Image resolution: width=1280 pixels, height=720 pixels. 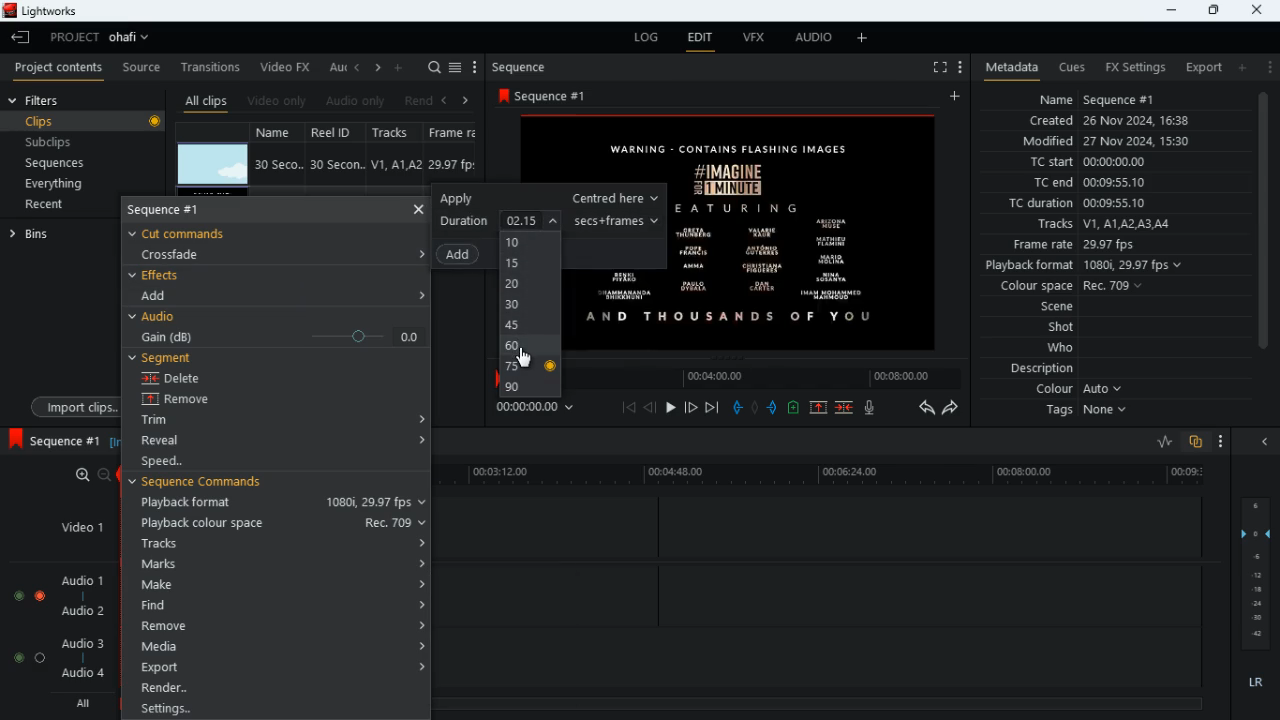 What do you see at coordinates (206, 101) in the screenshot?
I see `all clips` at bounding box center [206, 101].